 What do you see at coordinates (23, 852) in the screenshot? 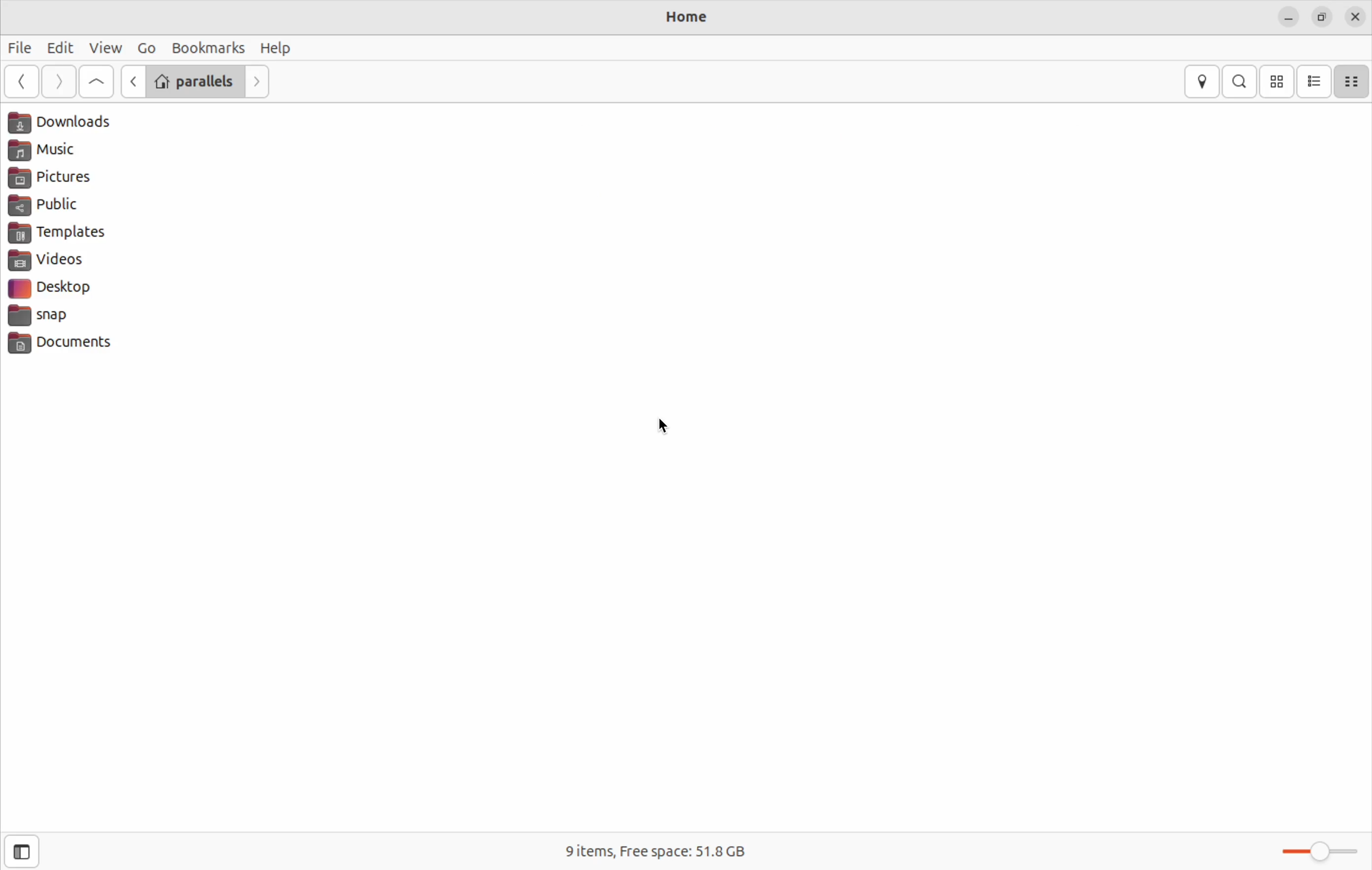
I see `open side bar` at bounding box center [23, 852].